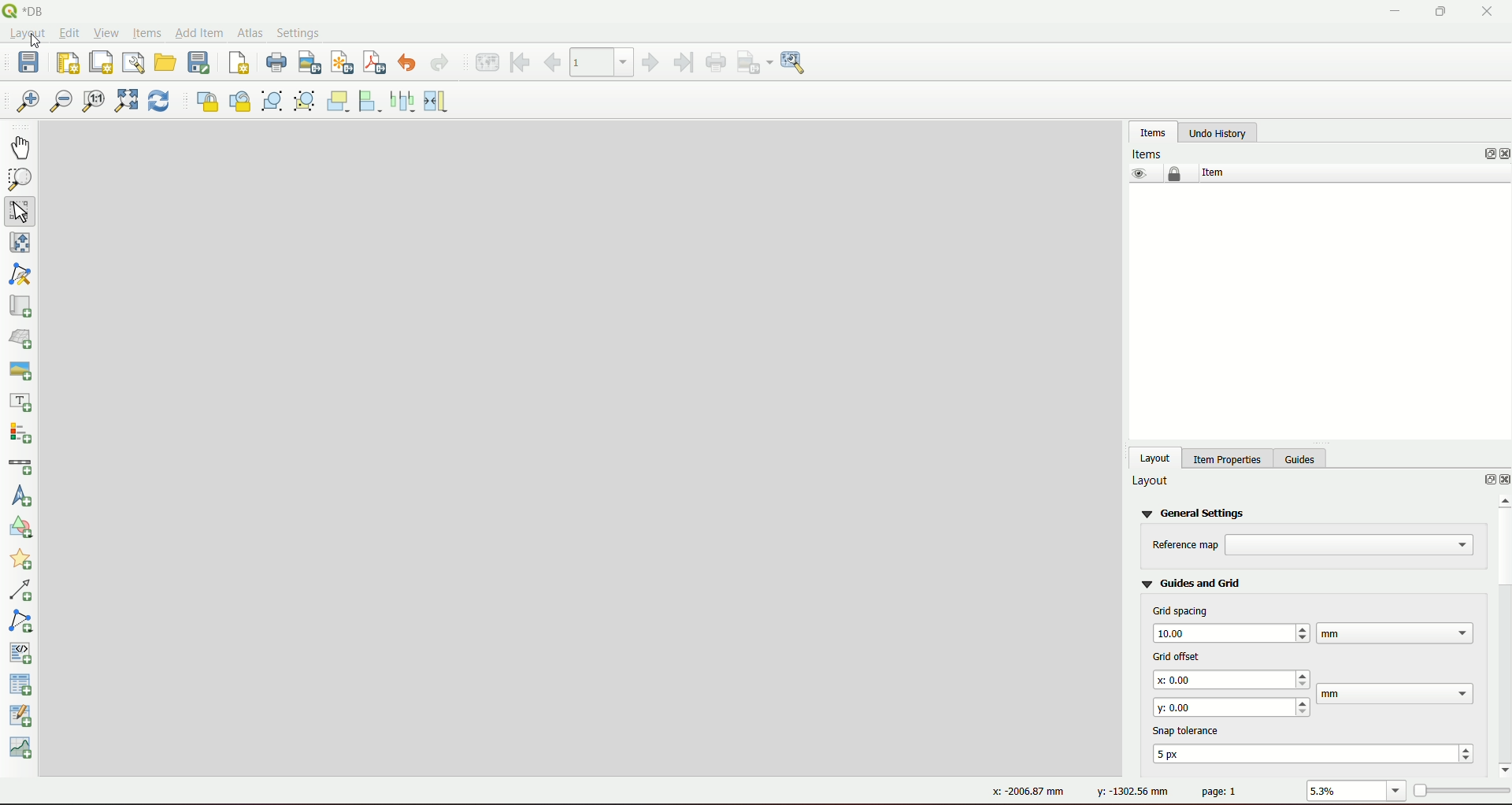  I want to click on print layout, so click(275, 64).